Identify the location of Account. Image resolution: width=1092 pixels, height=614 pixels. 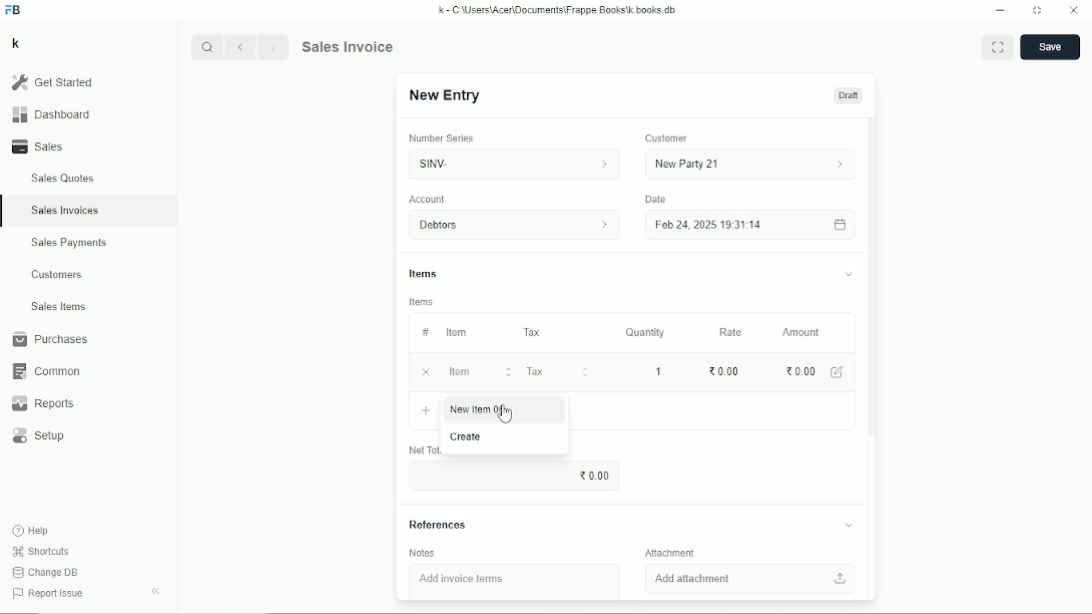
(428, 199).